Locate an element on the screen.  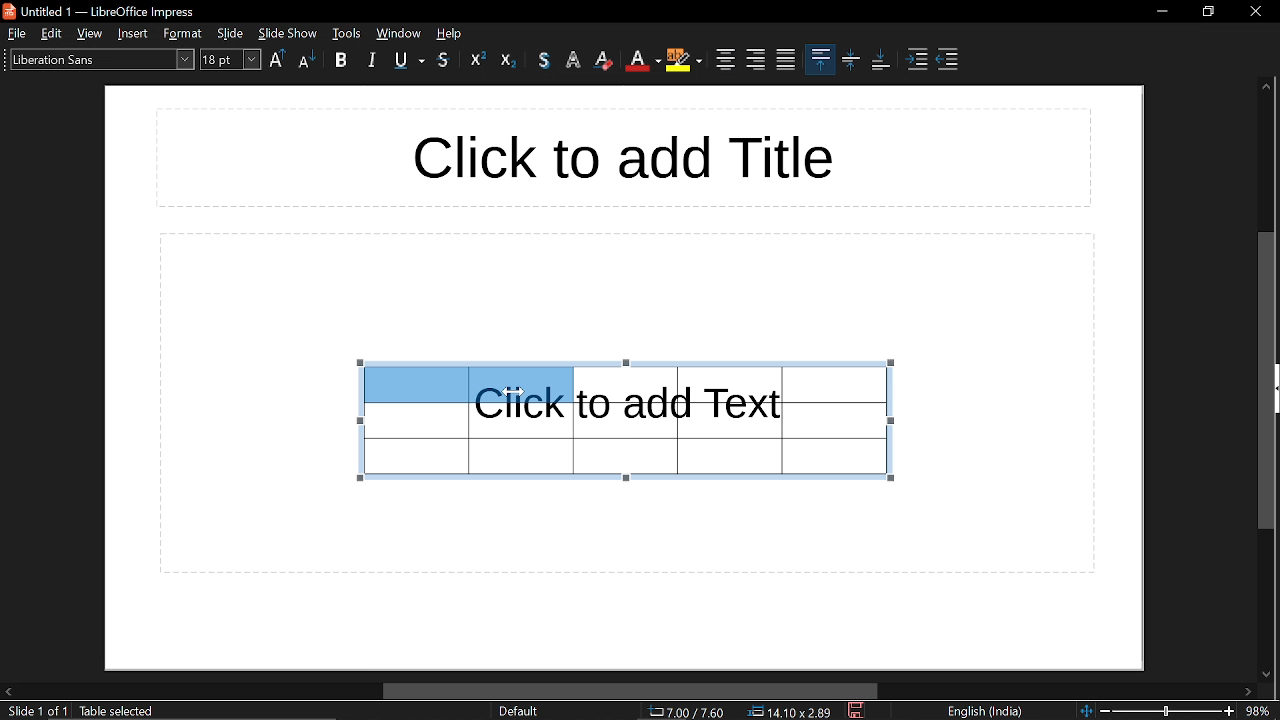
cursor is located at coordinates (512, 392).